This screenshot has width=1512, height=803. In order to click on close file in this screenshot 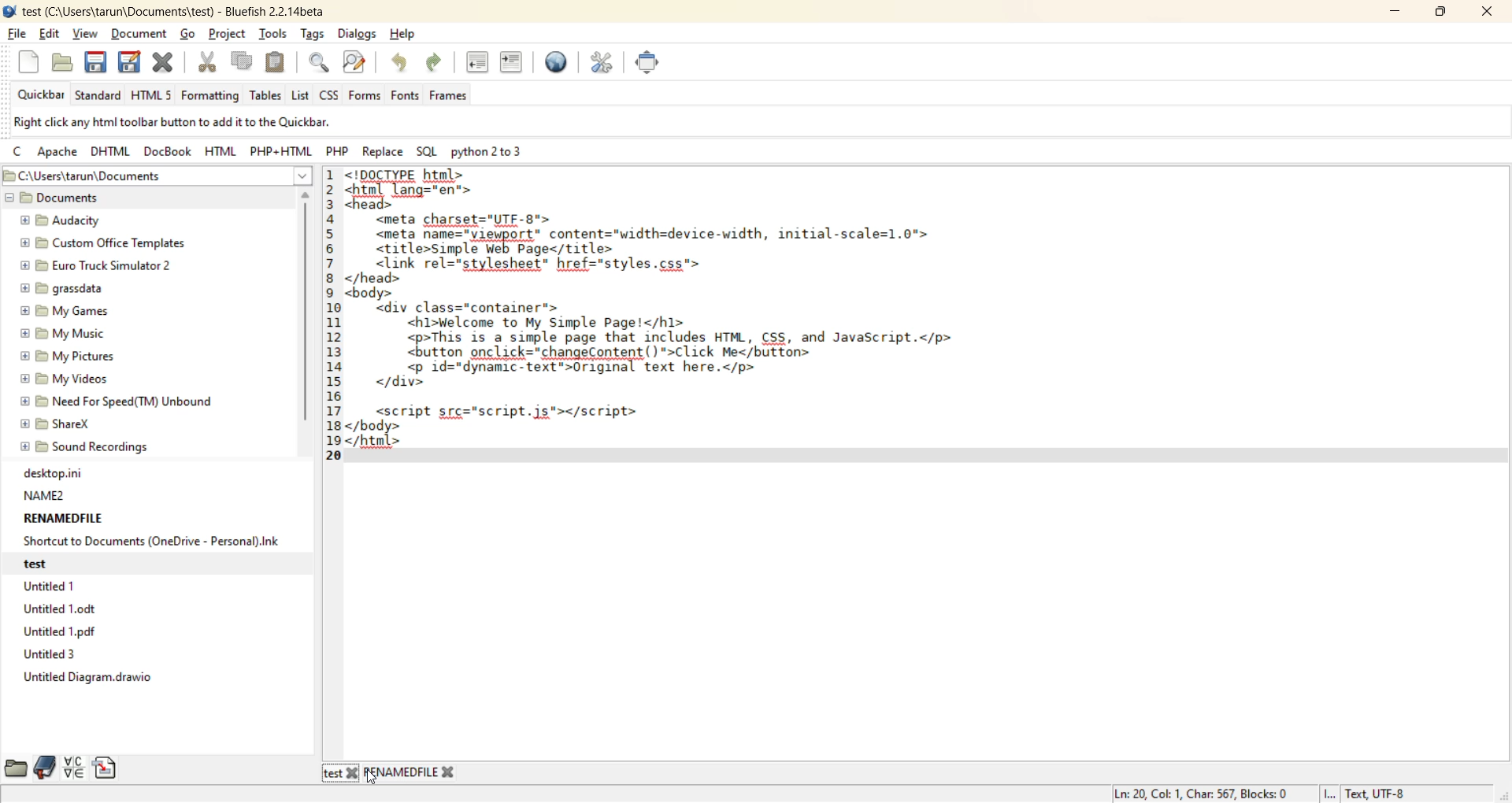, I will do `click(165, 63)`.